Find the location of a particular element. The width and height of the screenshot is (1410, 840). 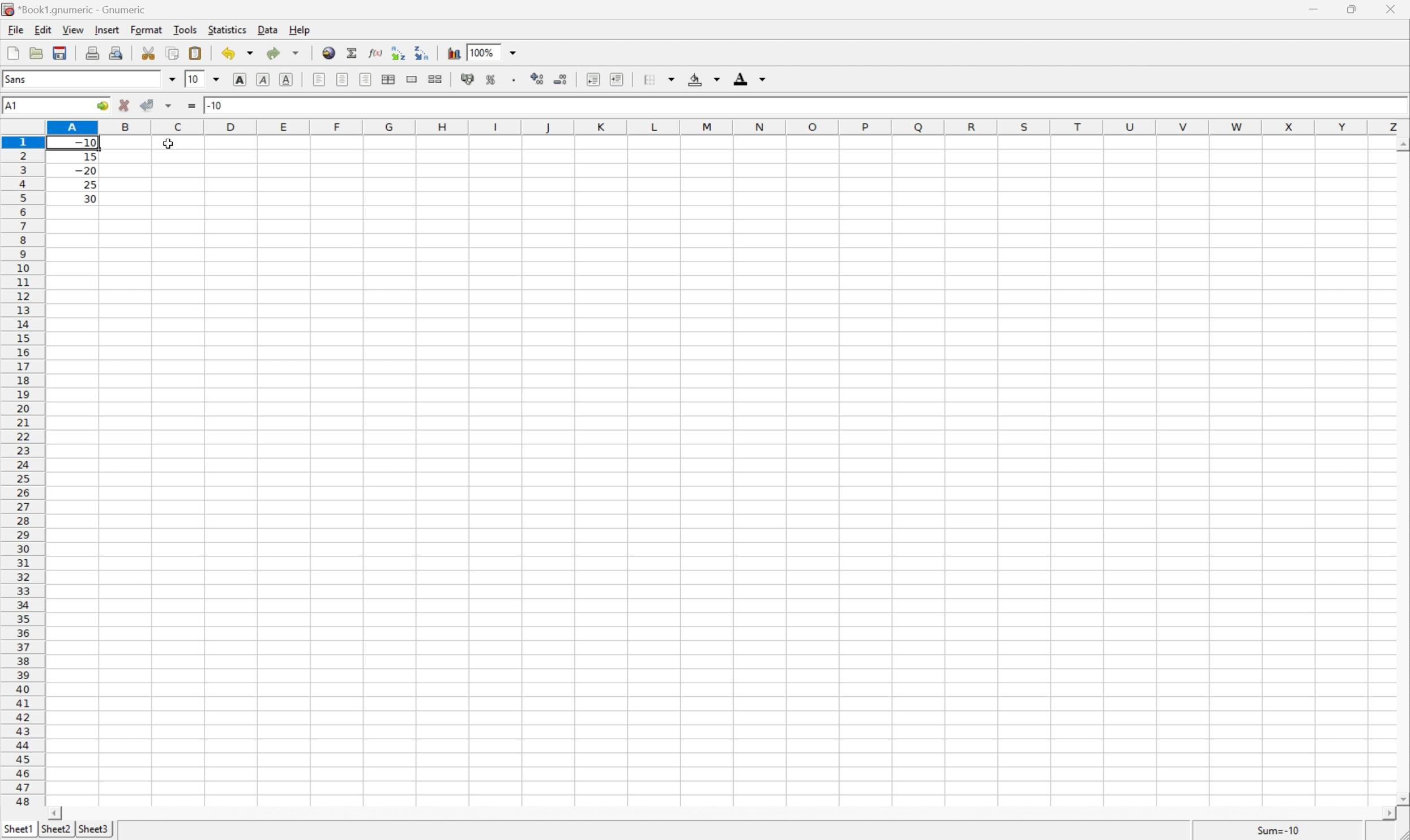

Save the current file is located at coordinates (61, 52).